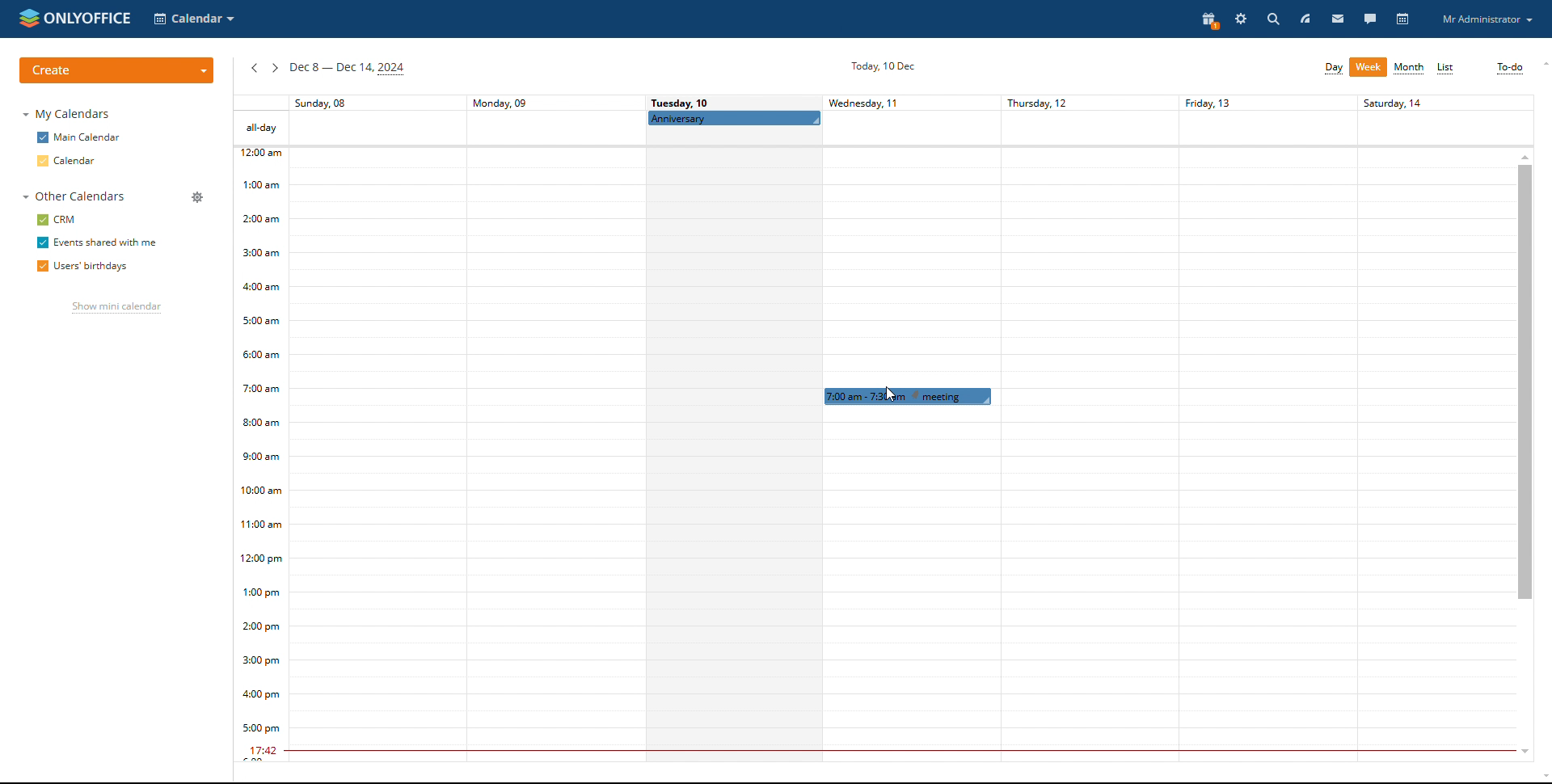 The height and width of the screenshot is (784, 1552). I want to click on days, so click(883, 103).